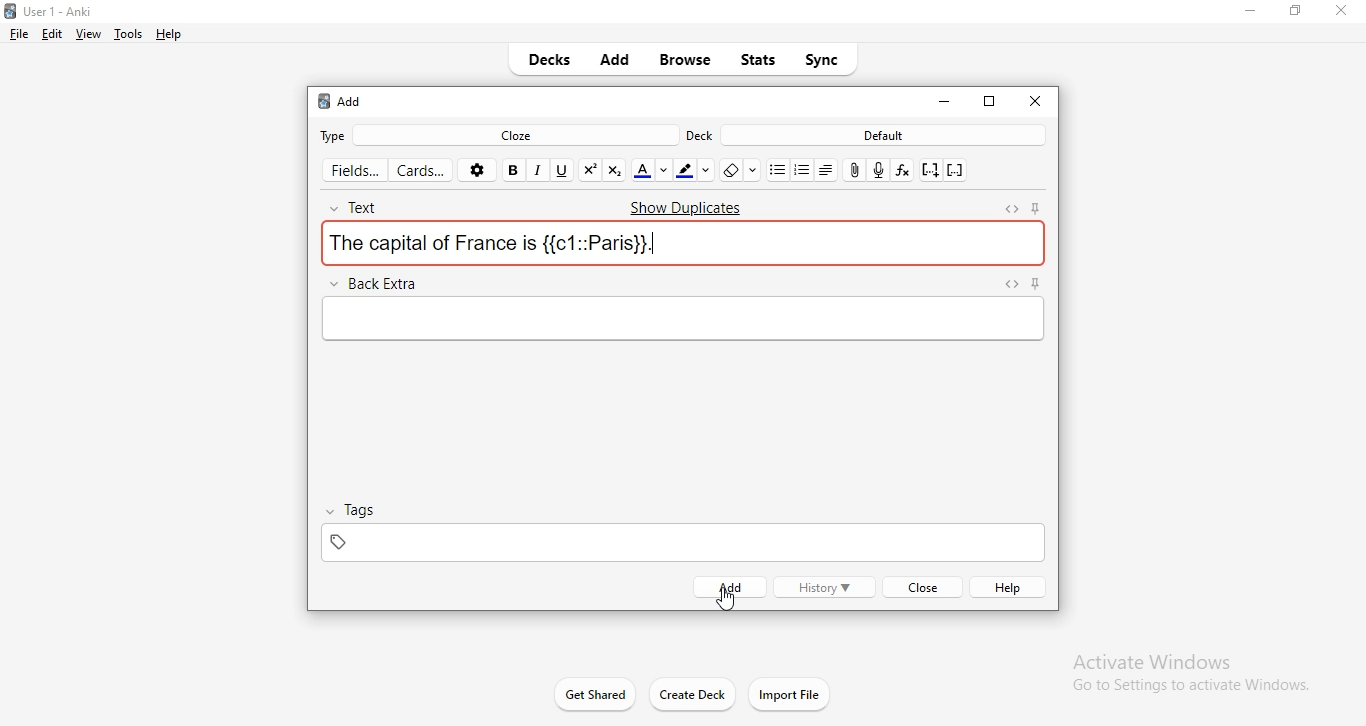  What do you see at coordinates (738, 171) in the screenshot?
I see `erase` at bounding box center [738, 171].